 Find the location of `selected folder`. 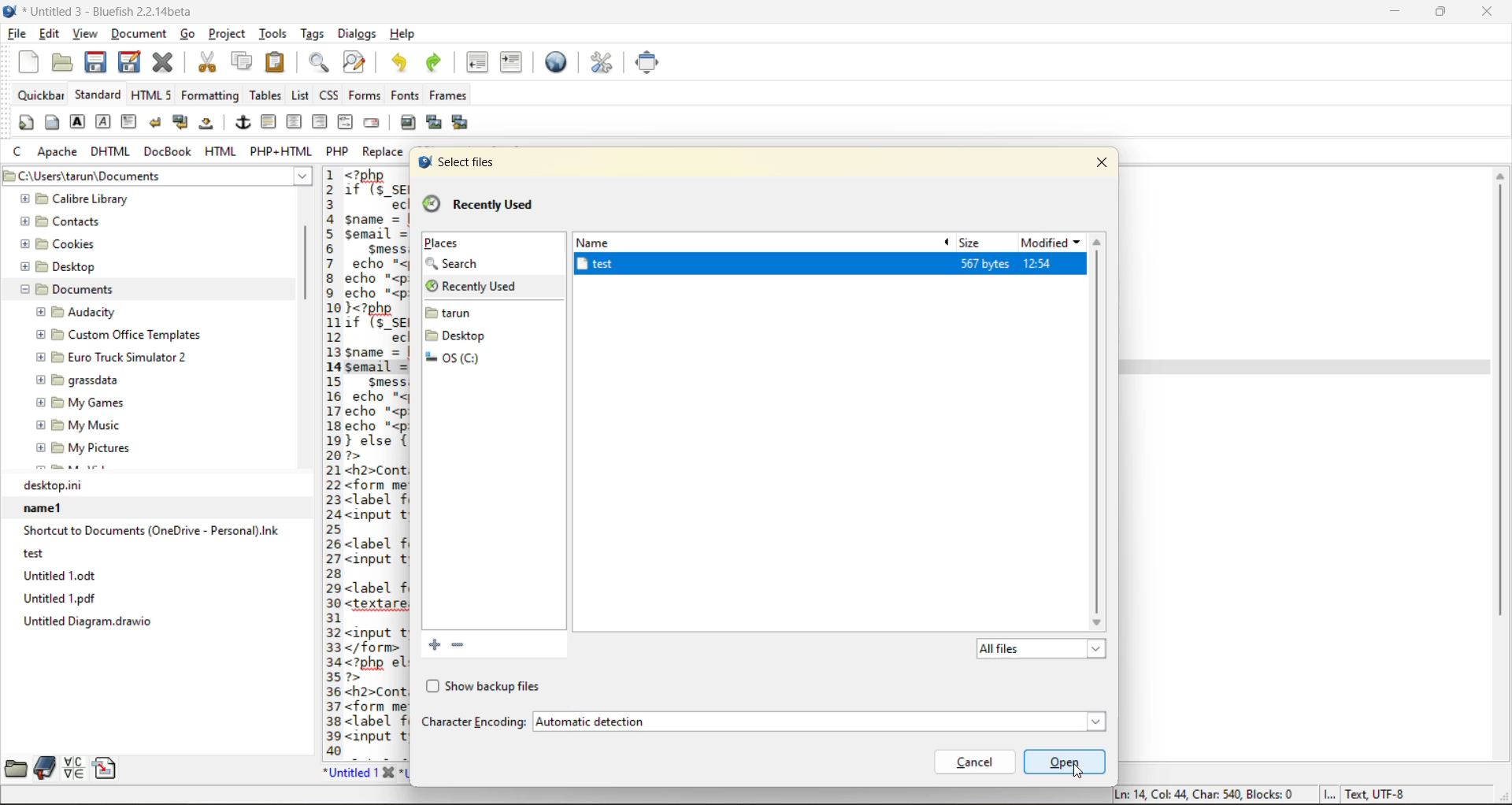

selected folder is located at coordinates (492, 288).